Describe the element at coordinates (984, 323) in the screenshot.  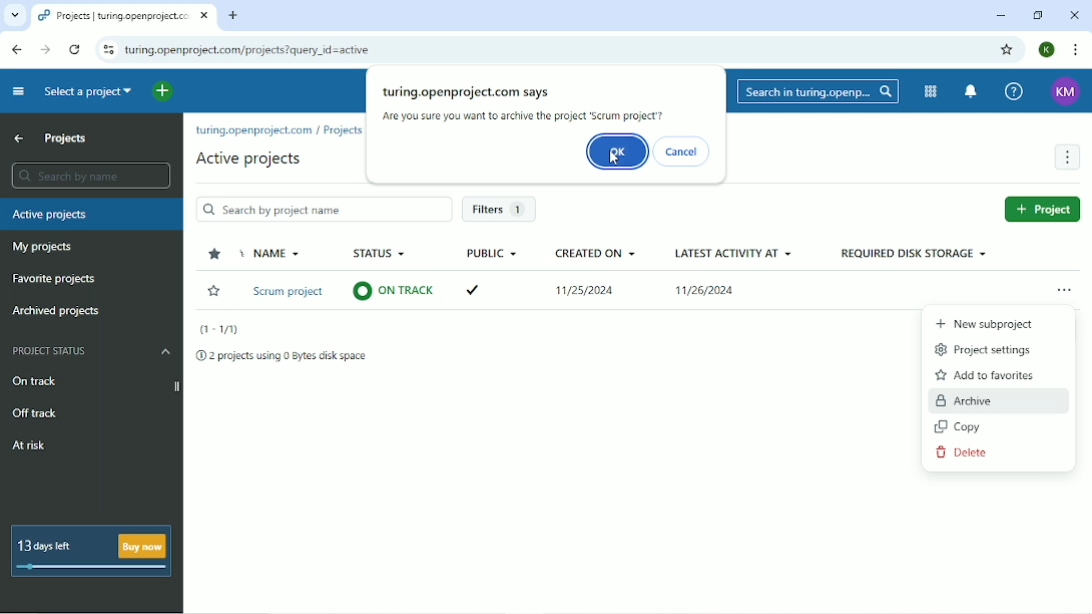
I see `New Subproject` at that location.